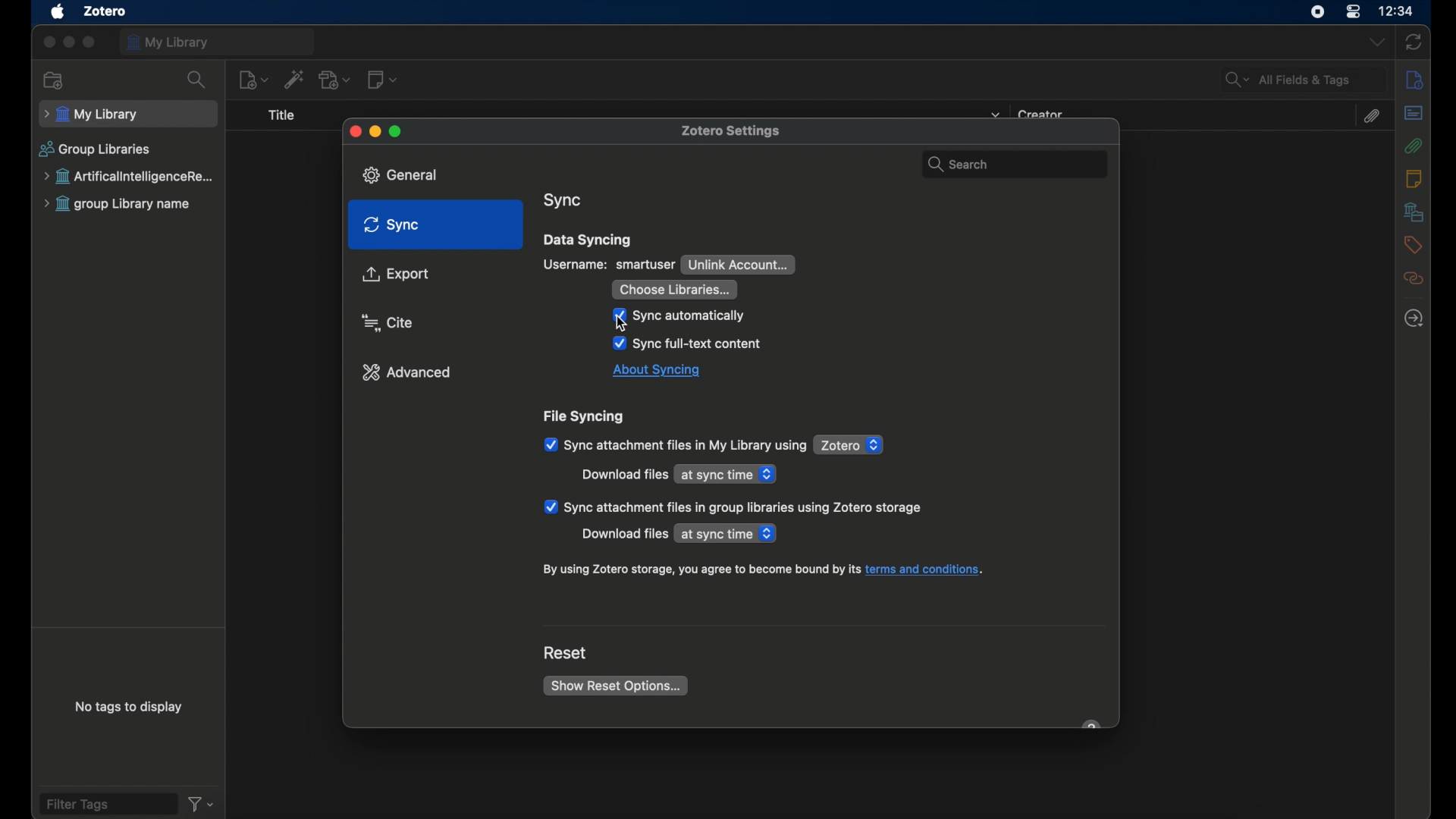 This screenshot has width=1456, height=819. I want to click on zotero dropdown, so click(850, 445).